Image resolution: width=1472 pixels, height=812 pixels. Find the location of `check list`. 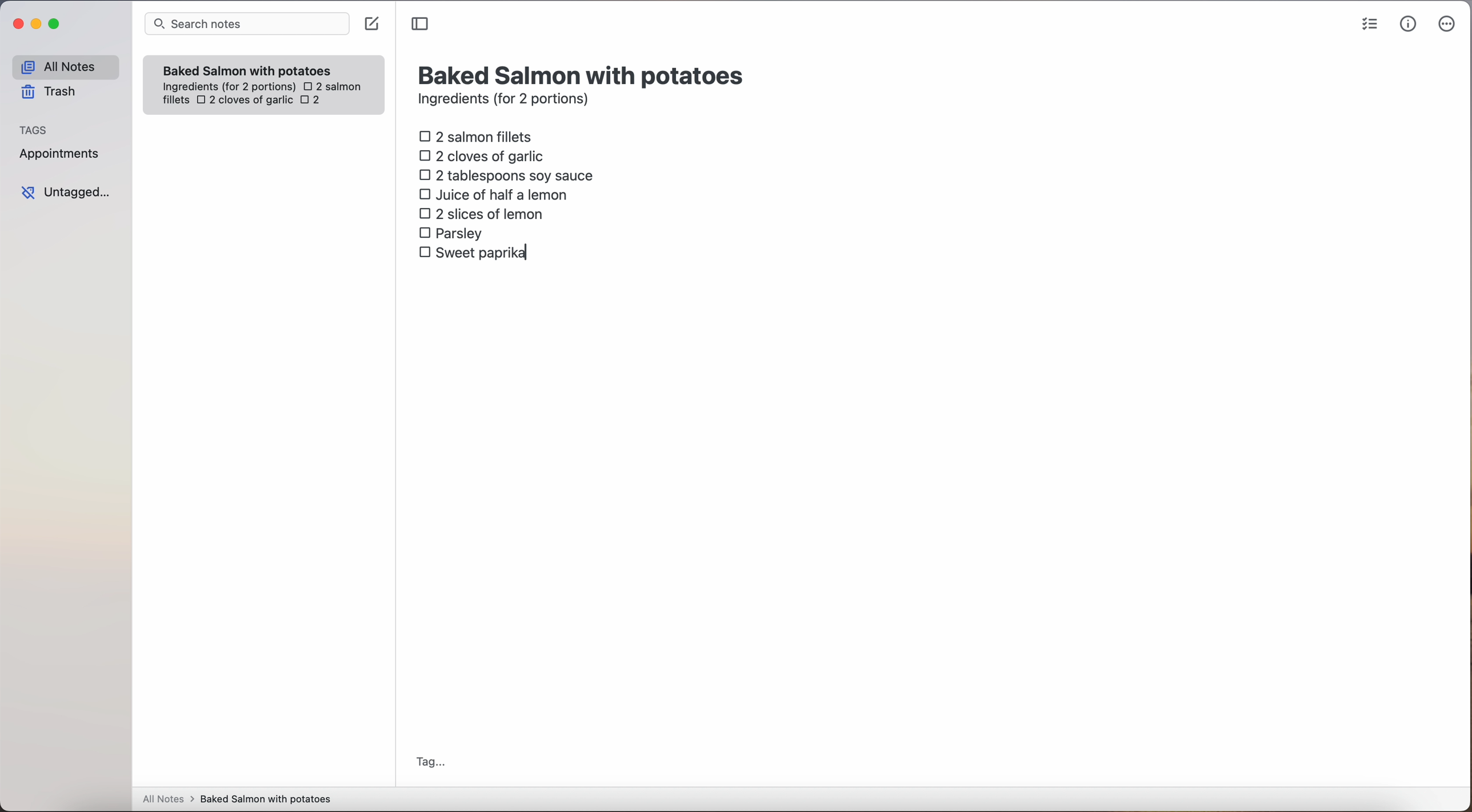

check list is located at coordinates (1370, 25).